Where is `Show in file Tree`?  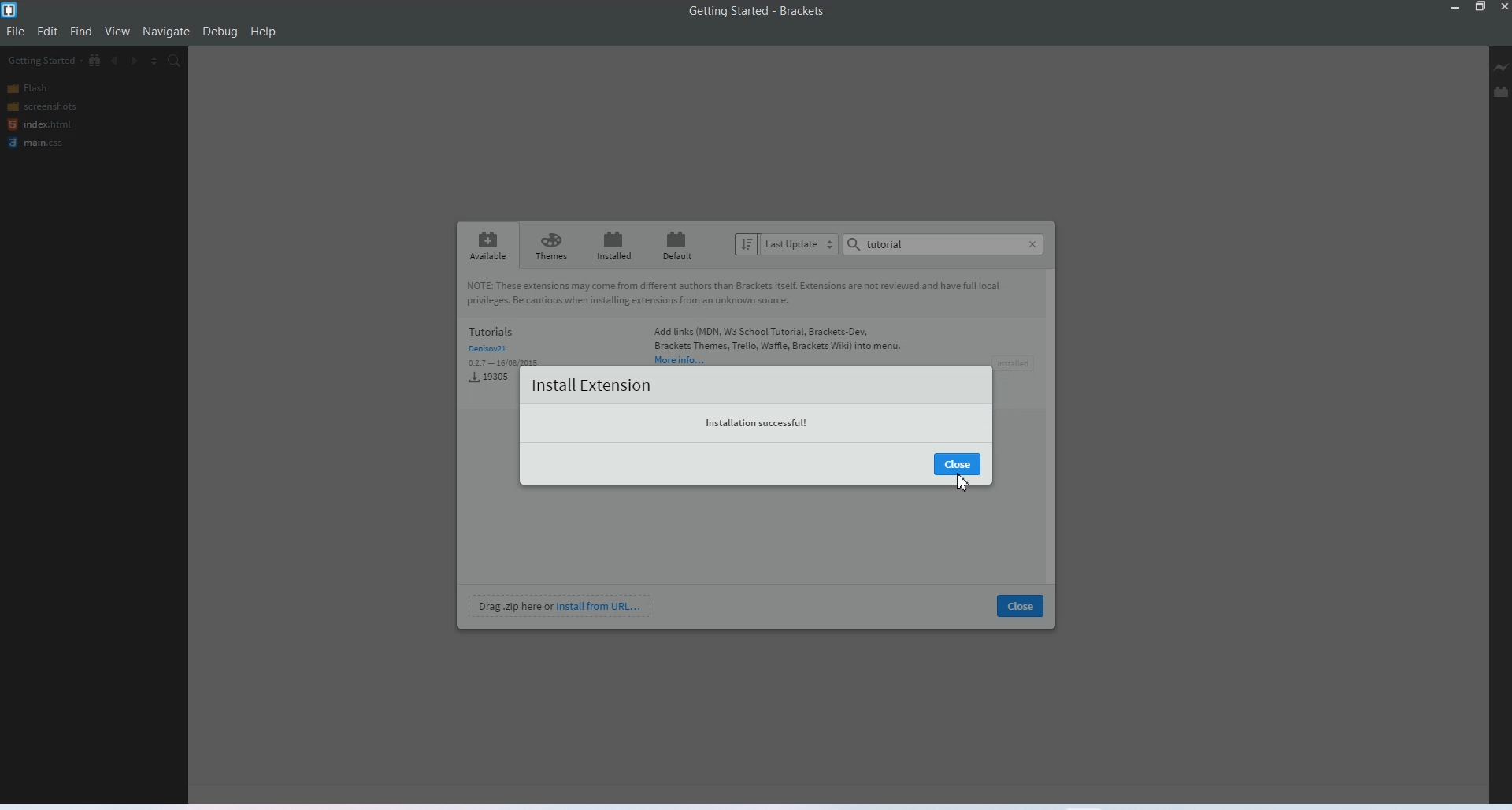
Show in file Tree is located at coordinates (96, 61).